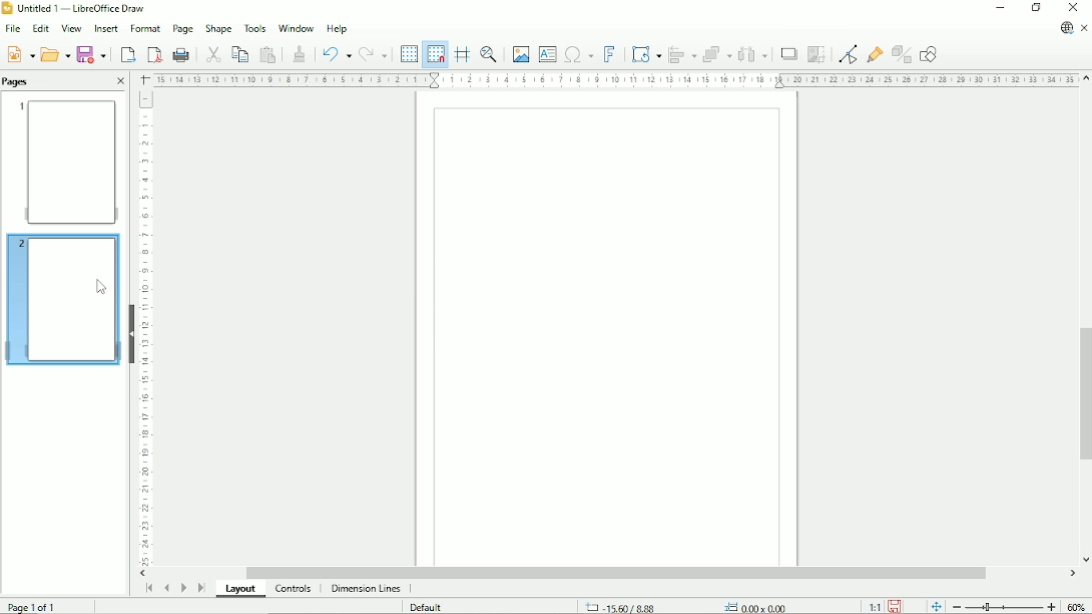  Describe the element at coordinates (614, 79) in the screenshot. I see `Horizontal scale` at that location.